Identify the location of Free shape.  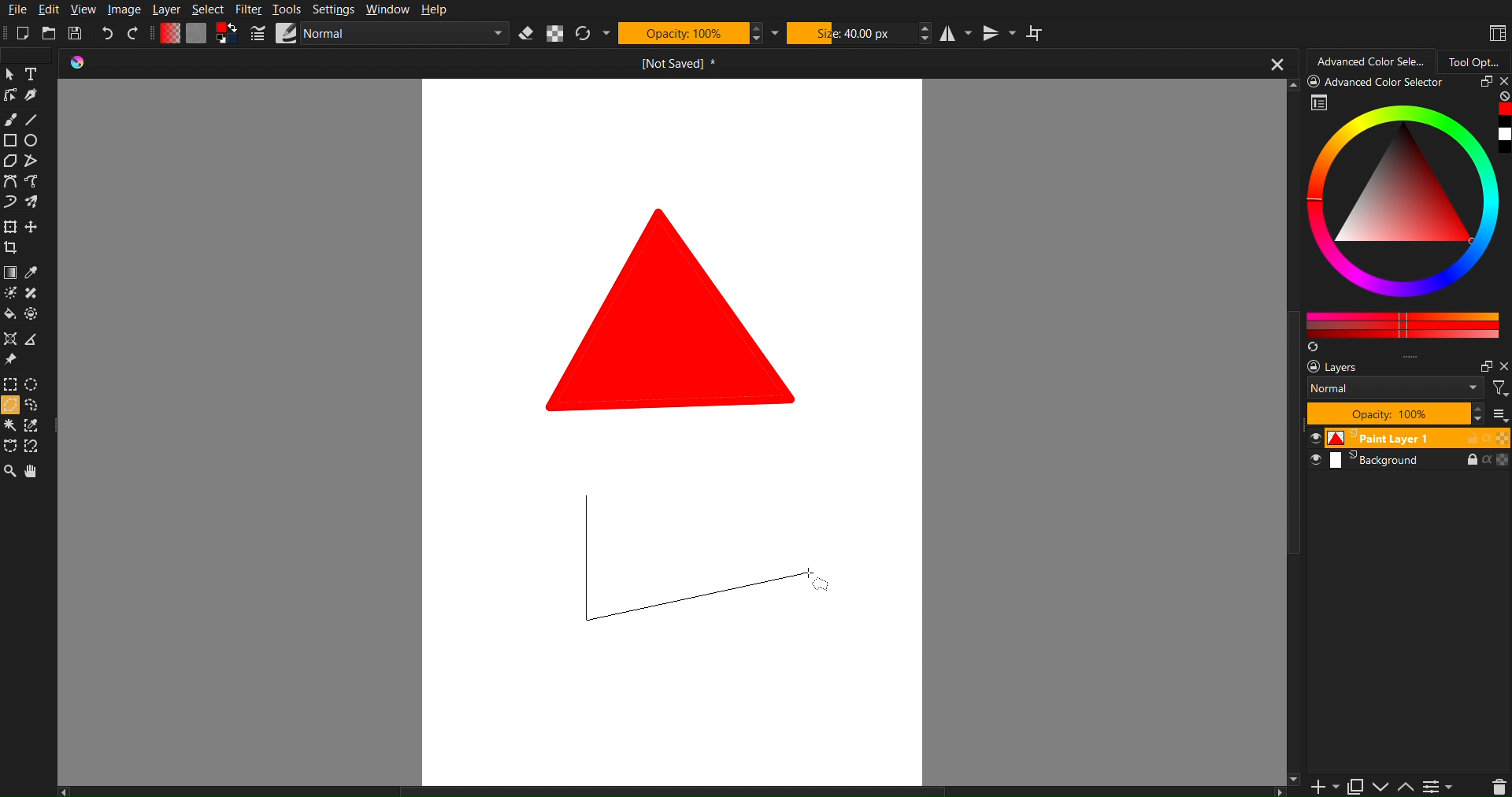
(30, 161).